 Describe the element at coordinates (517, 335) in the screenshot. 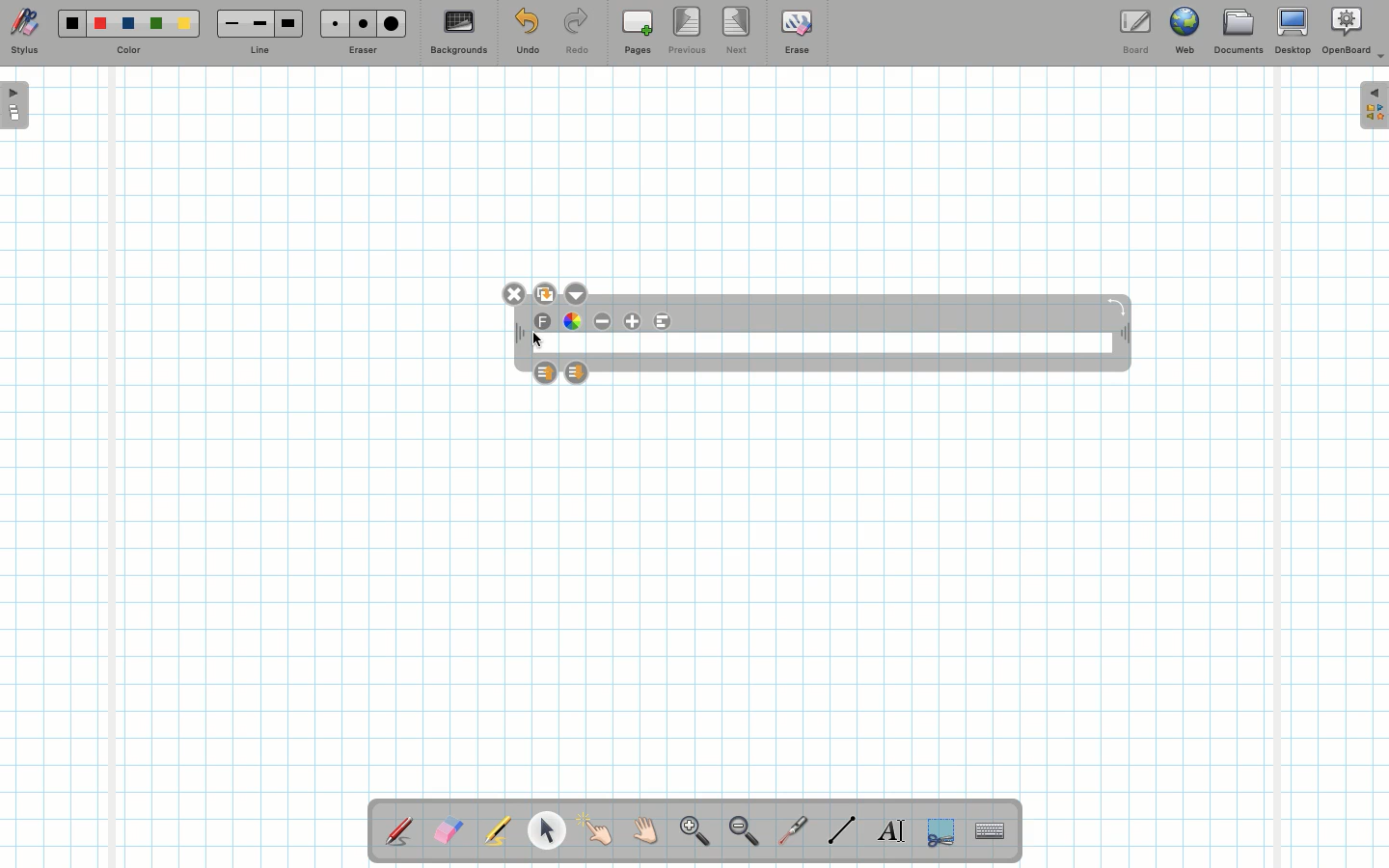

I see `Move` at that location.